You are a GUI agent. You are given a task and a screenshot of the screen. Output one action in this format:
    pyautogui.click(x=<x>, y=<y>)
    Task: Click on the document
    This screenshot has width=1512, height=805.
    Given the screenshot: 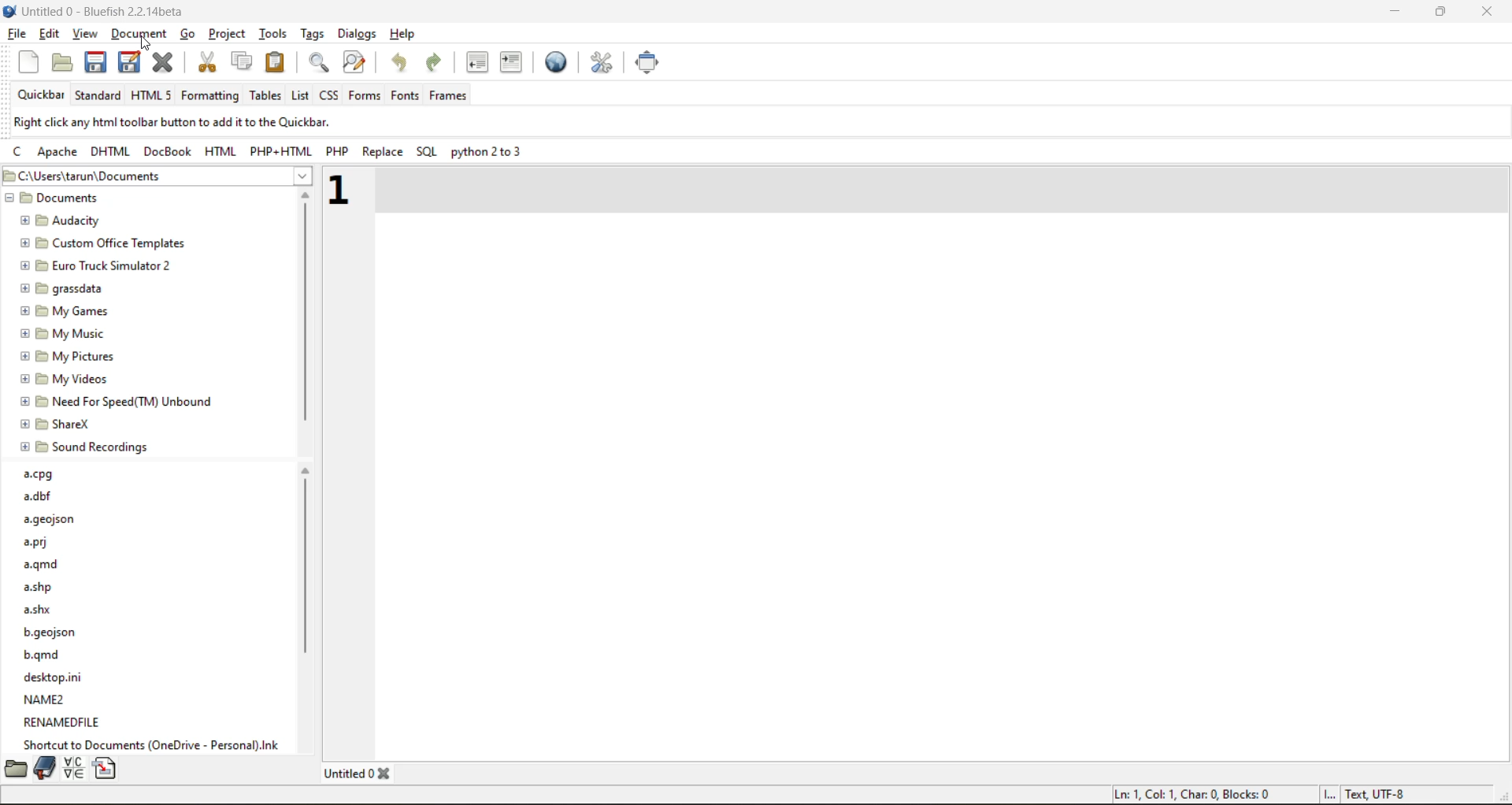 What is the action you would take?
    pyautogui.click(x=139, y=31)
    